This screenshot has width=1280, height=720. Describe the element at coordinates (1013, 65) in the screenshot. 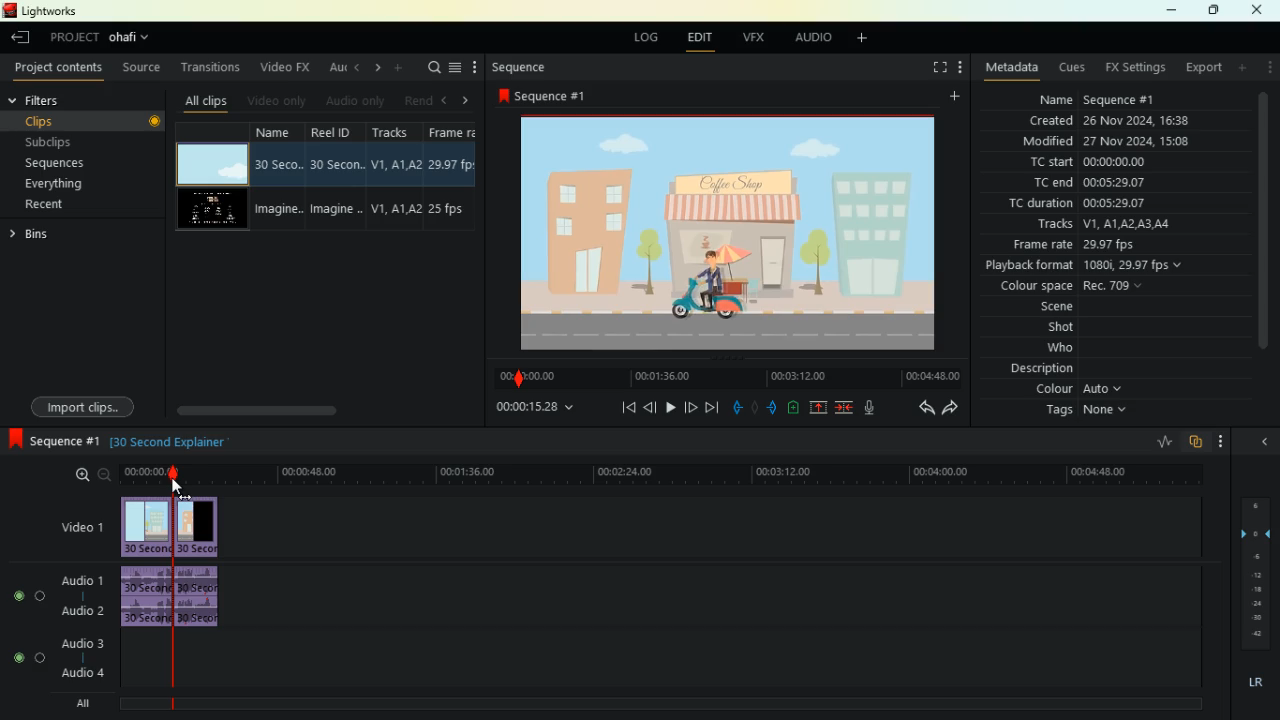

I see `metadata` at that location.